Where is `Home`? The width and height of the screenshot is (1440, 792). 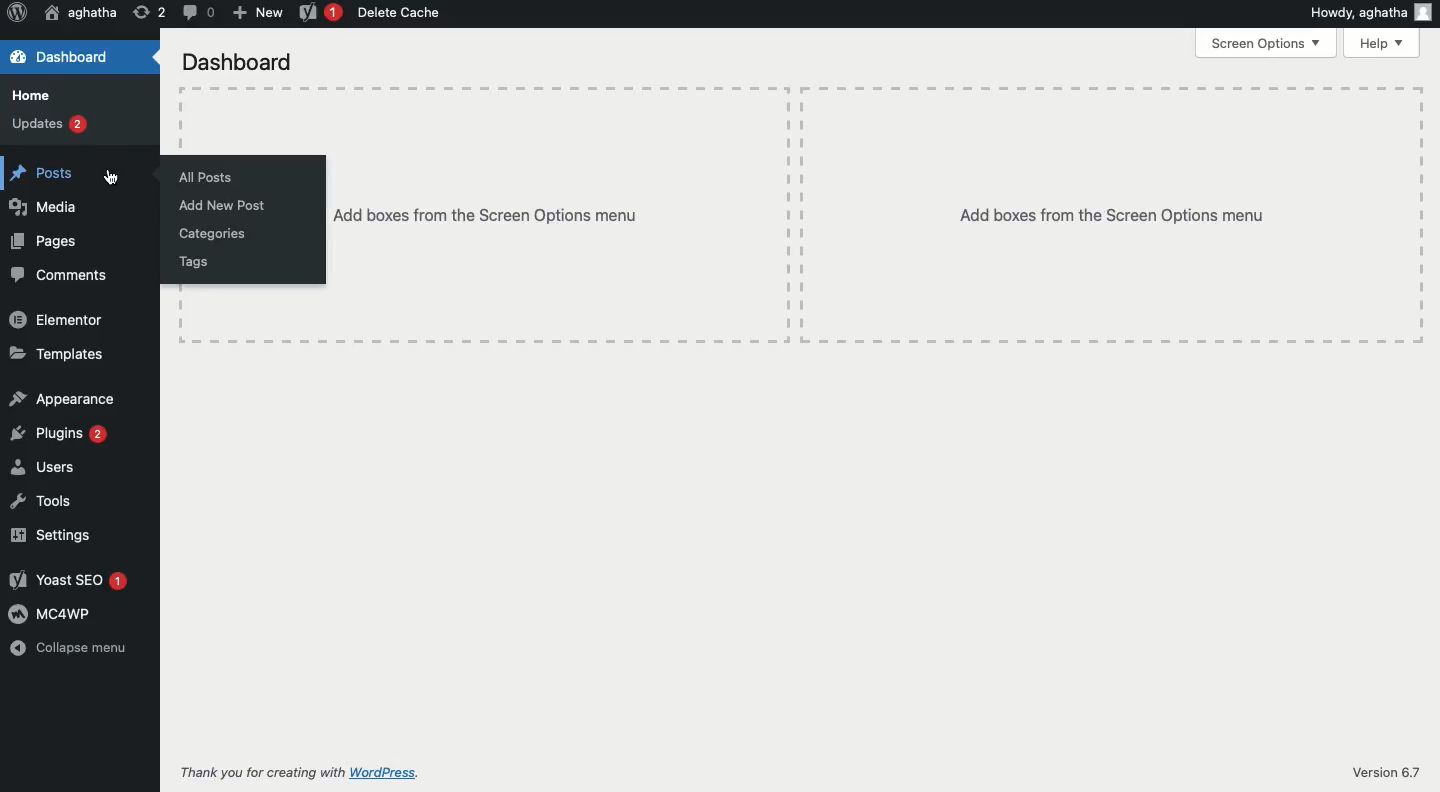 Home is located at coordinates (35, 94).